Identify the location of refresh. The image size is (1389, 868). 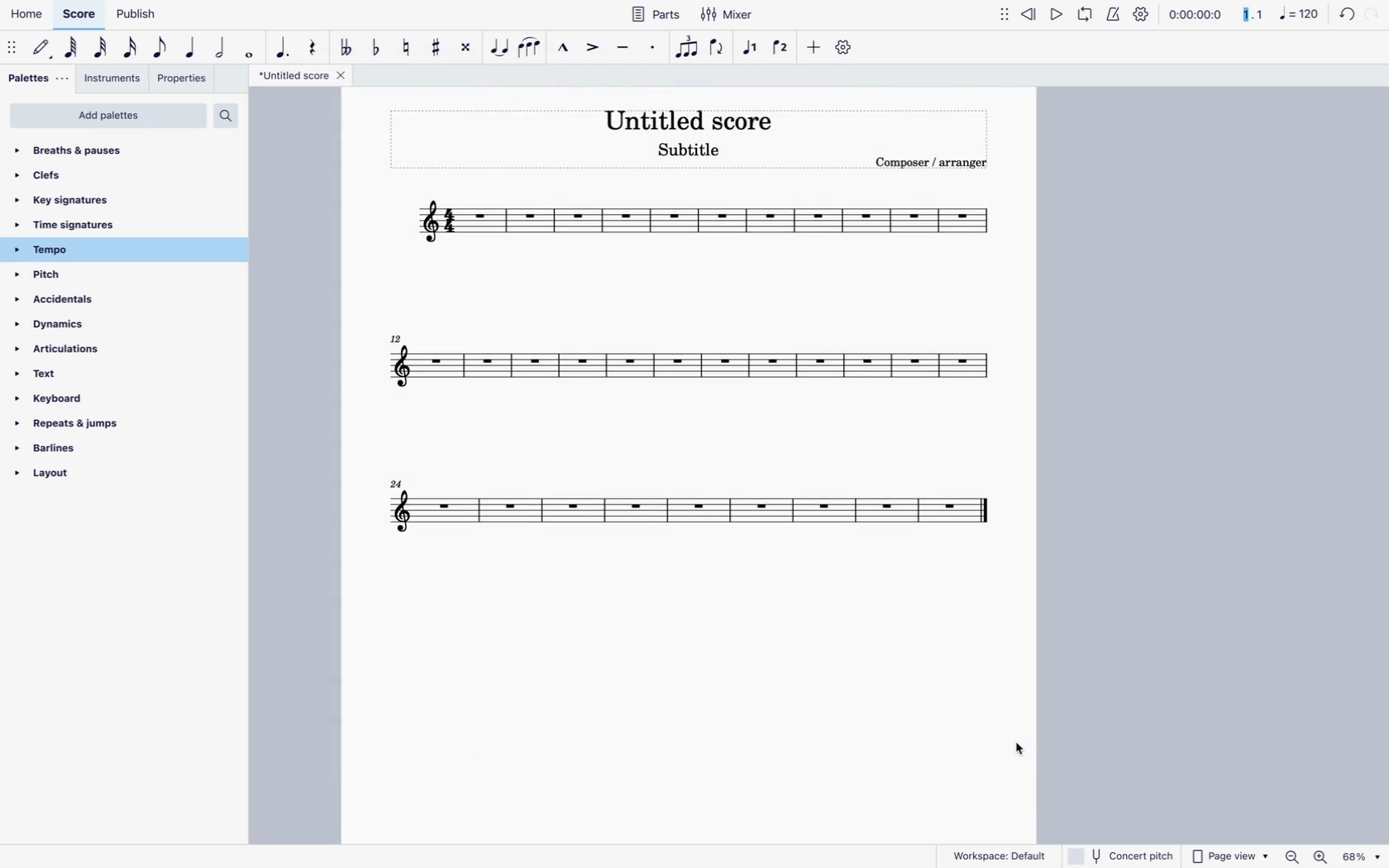
(1352, 15).